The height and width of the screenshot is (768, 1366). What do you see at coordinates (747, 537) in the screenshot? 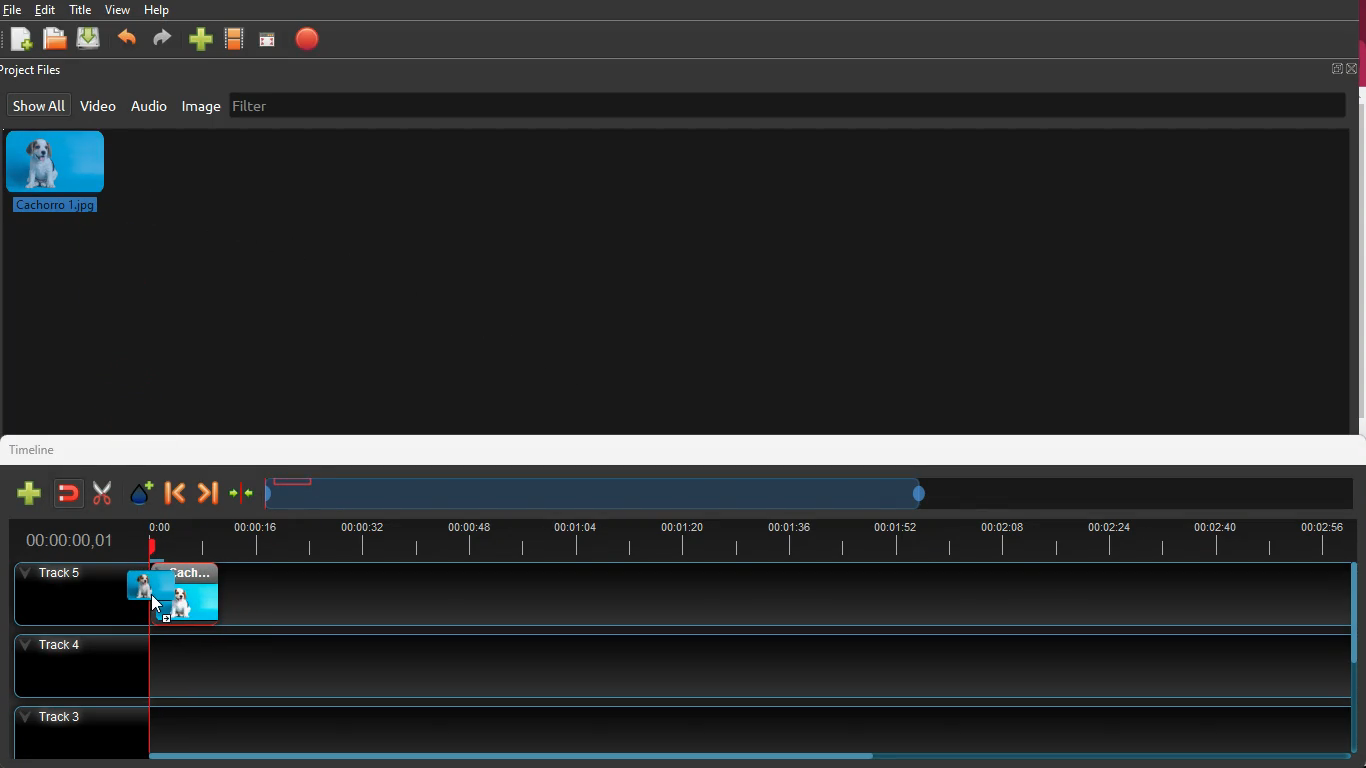
I see `time` at bounding box center [747, 537].